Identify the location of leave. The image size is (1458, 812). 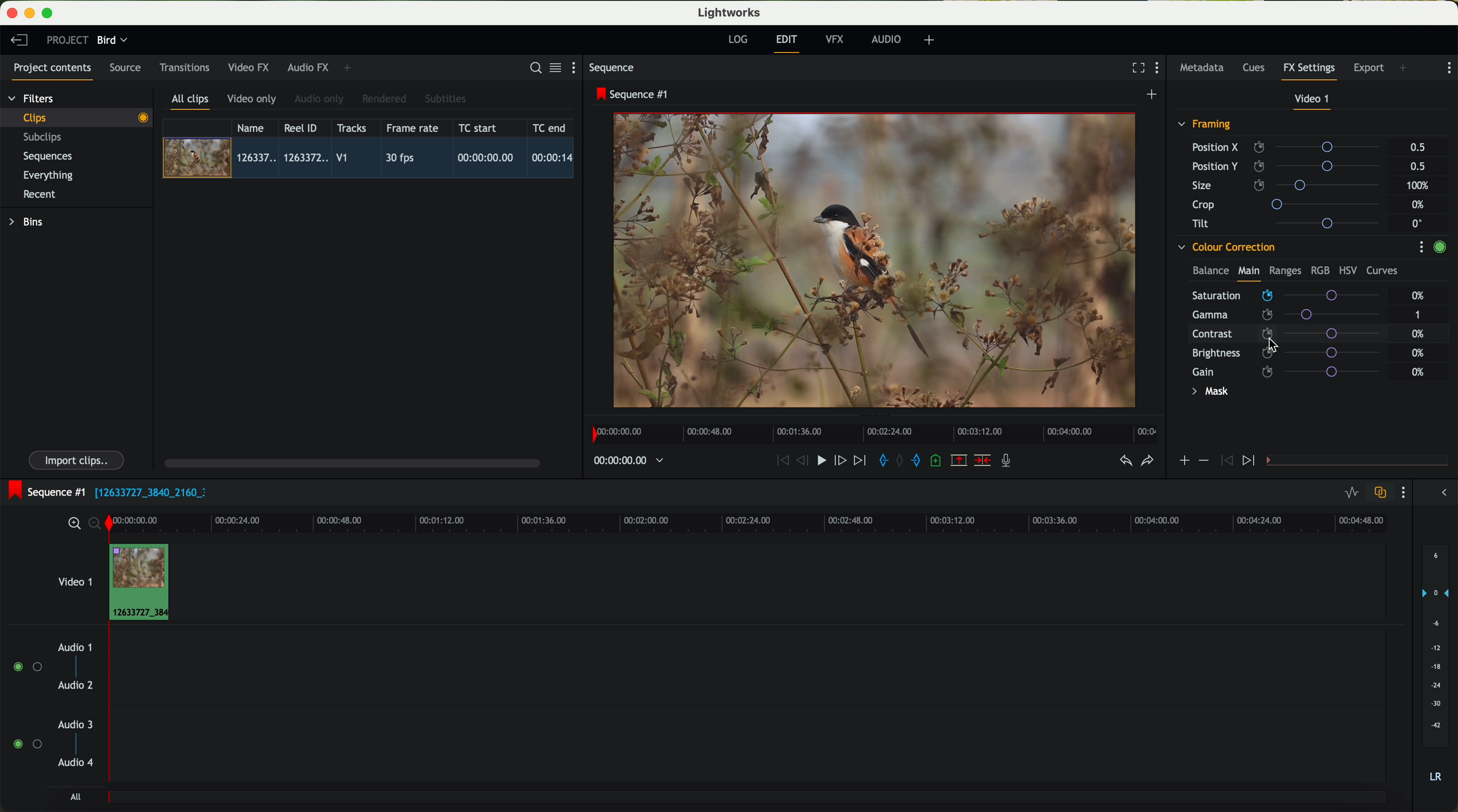
(19, 41).